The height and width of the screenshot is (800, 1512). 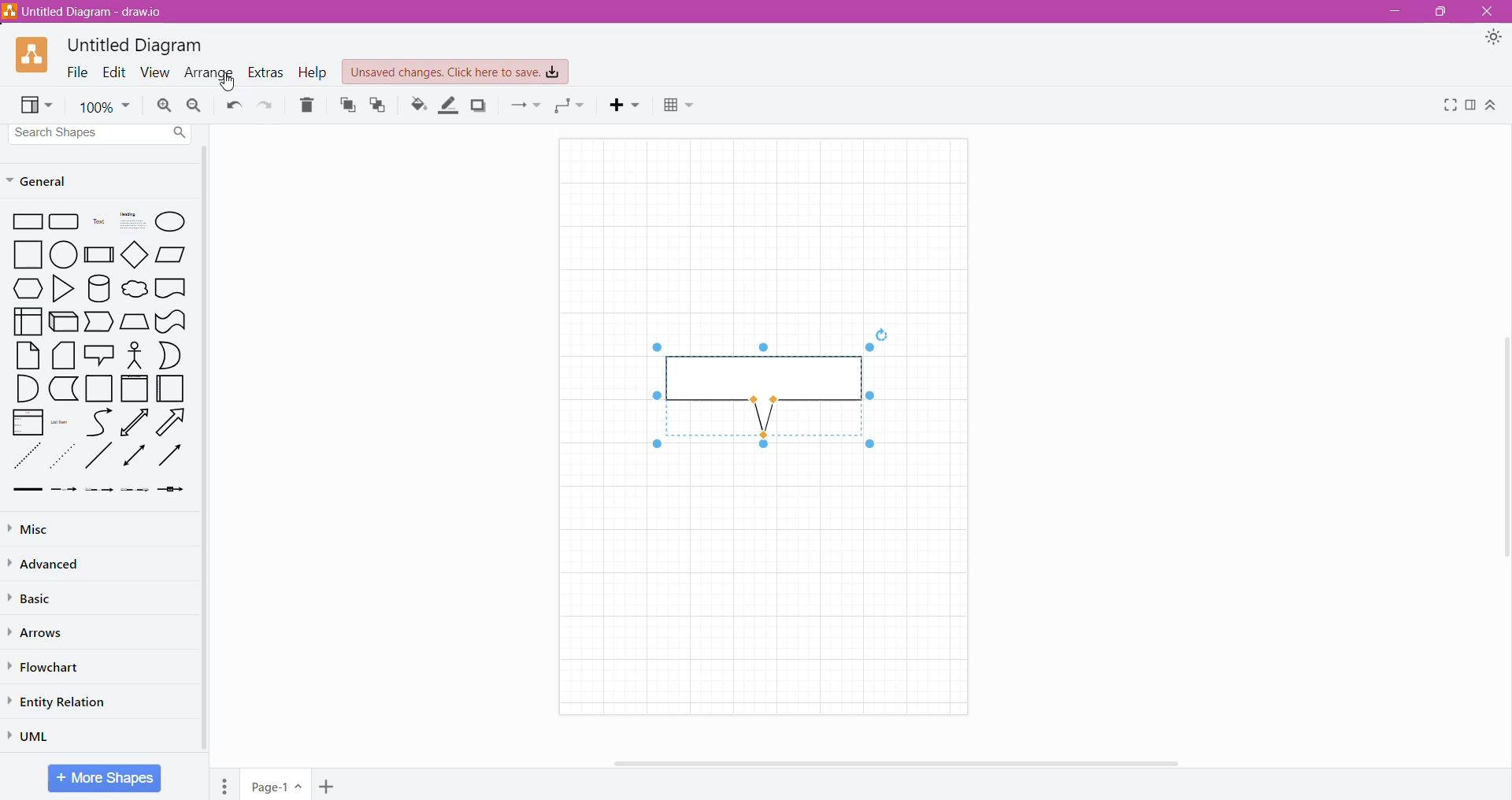 I want to click on grid rectangle, so click(x=65, y=223).